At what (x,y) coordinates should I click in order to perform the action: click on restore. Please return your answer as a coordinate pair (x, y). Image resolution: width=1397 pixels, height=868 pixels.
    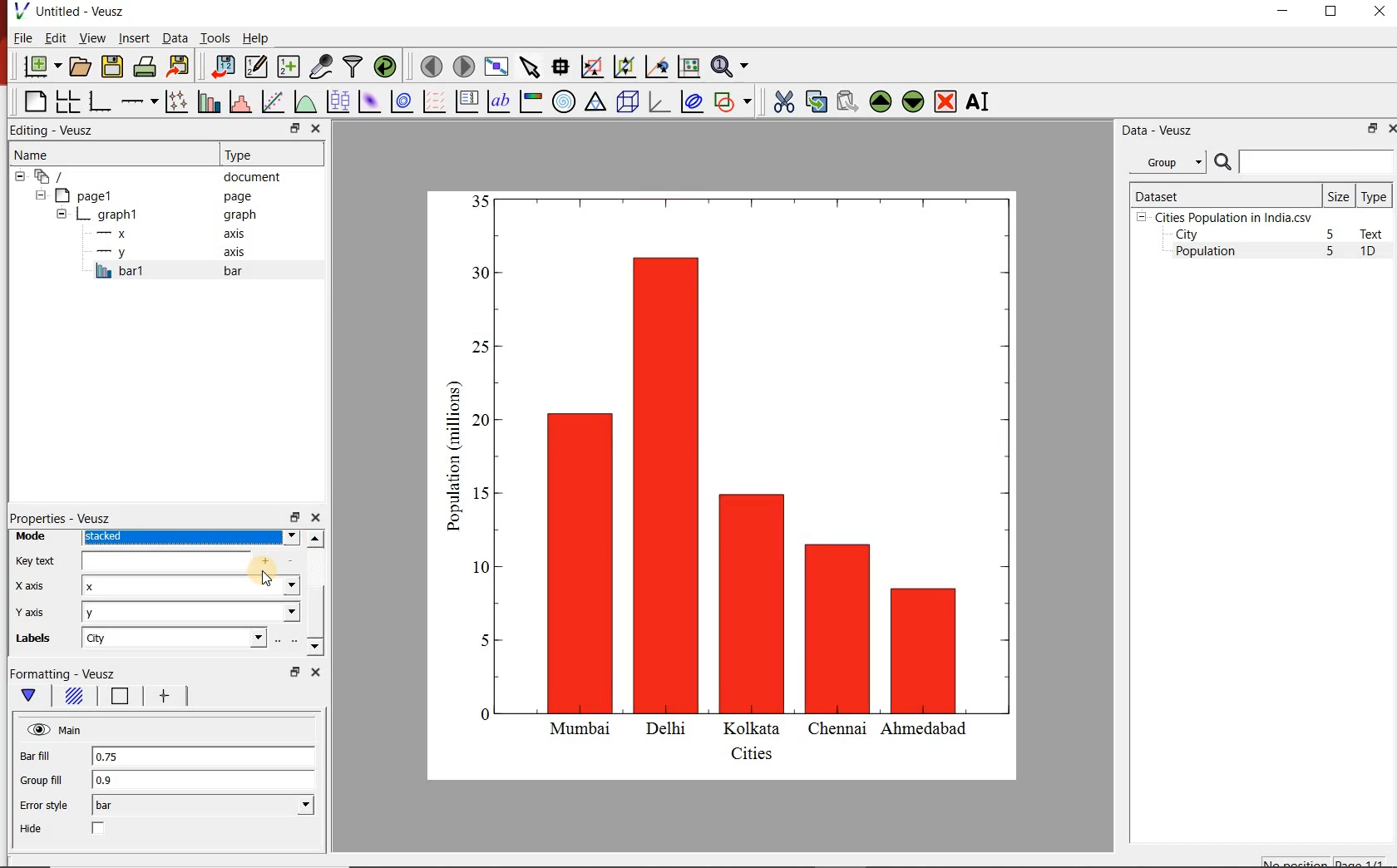
    Looking at the image, I should click on (294, 128).